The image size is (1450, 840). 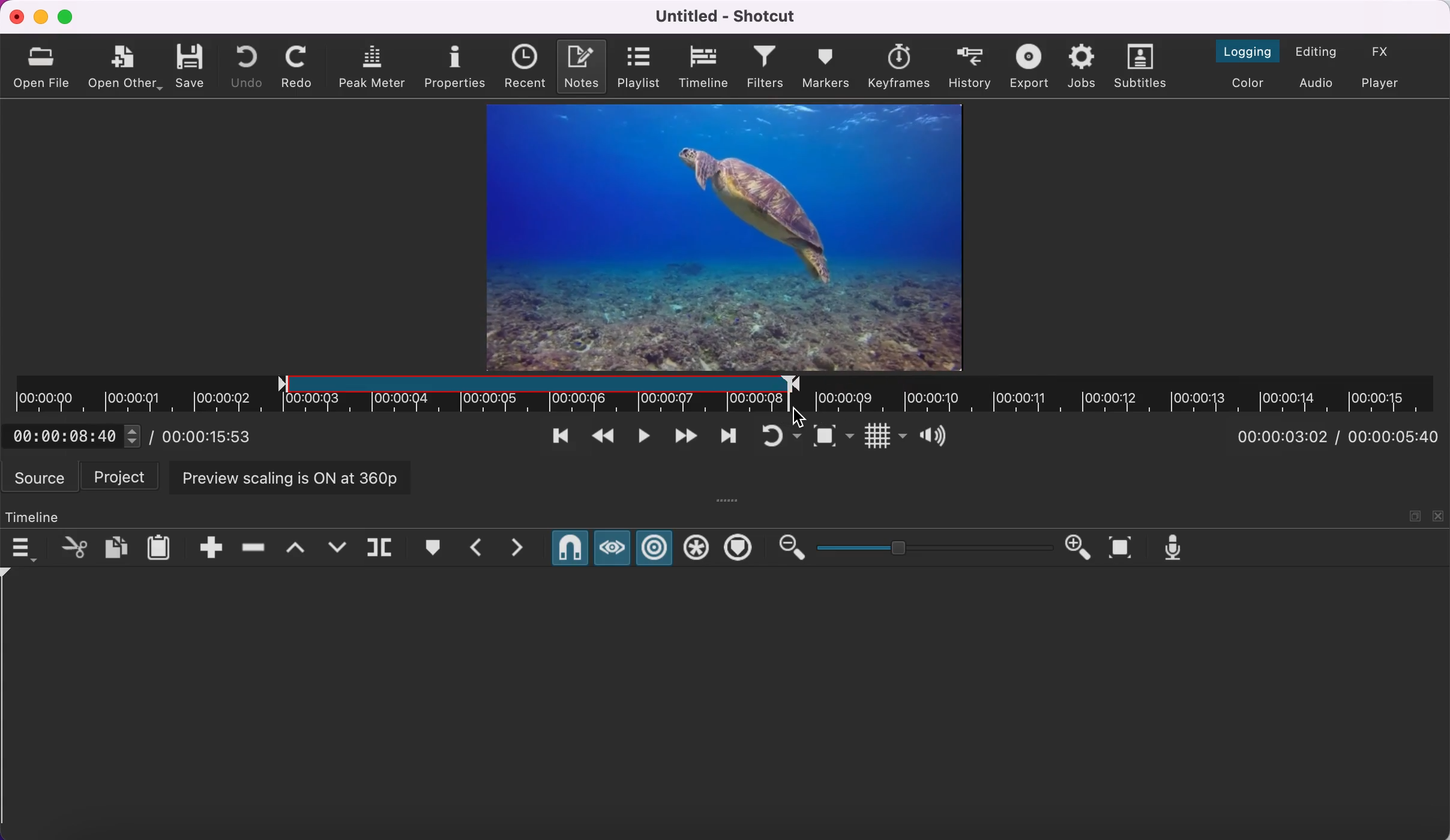 What do you see at coordinates (1251, 83) in the screenshot?
I see `switch to the color layout` at bounding box center [1251, 83].